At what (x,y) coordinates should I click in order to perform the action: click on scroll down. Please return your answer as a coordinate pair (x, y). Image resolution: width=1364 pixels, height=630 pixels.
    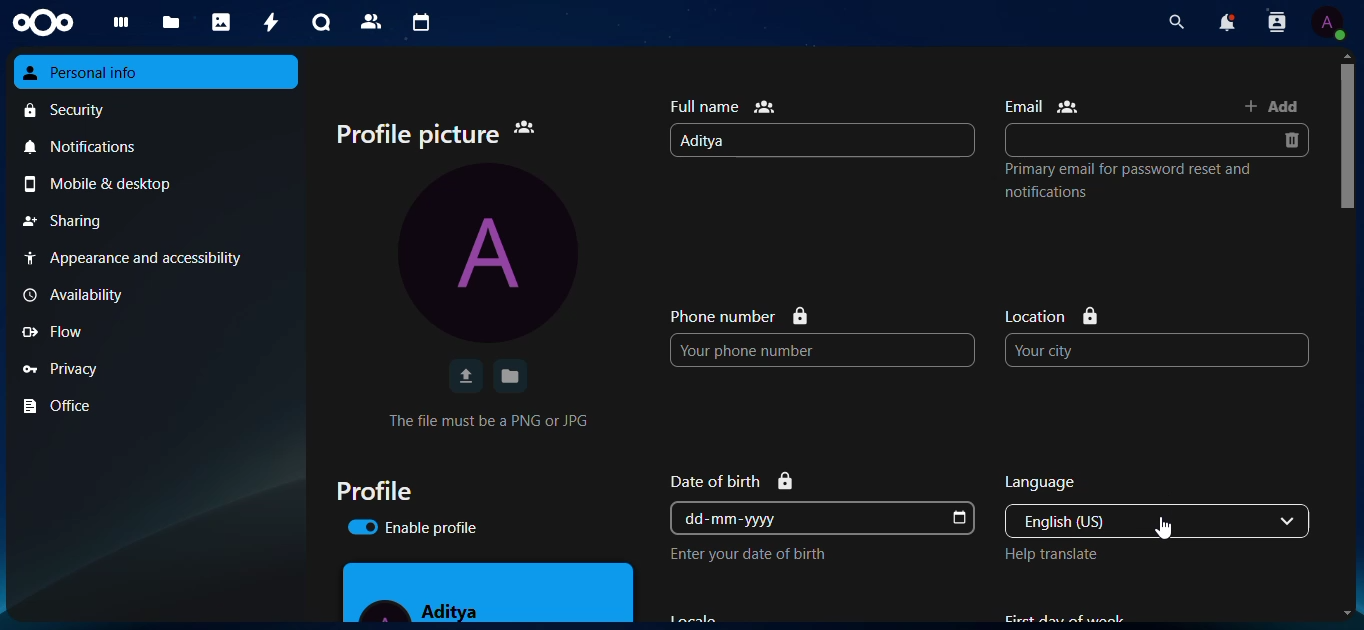
    Looking at the image, I should click on (1341, 613).